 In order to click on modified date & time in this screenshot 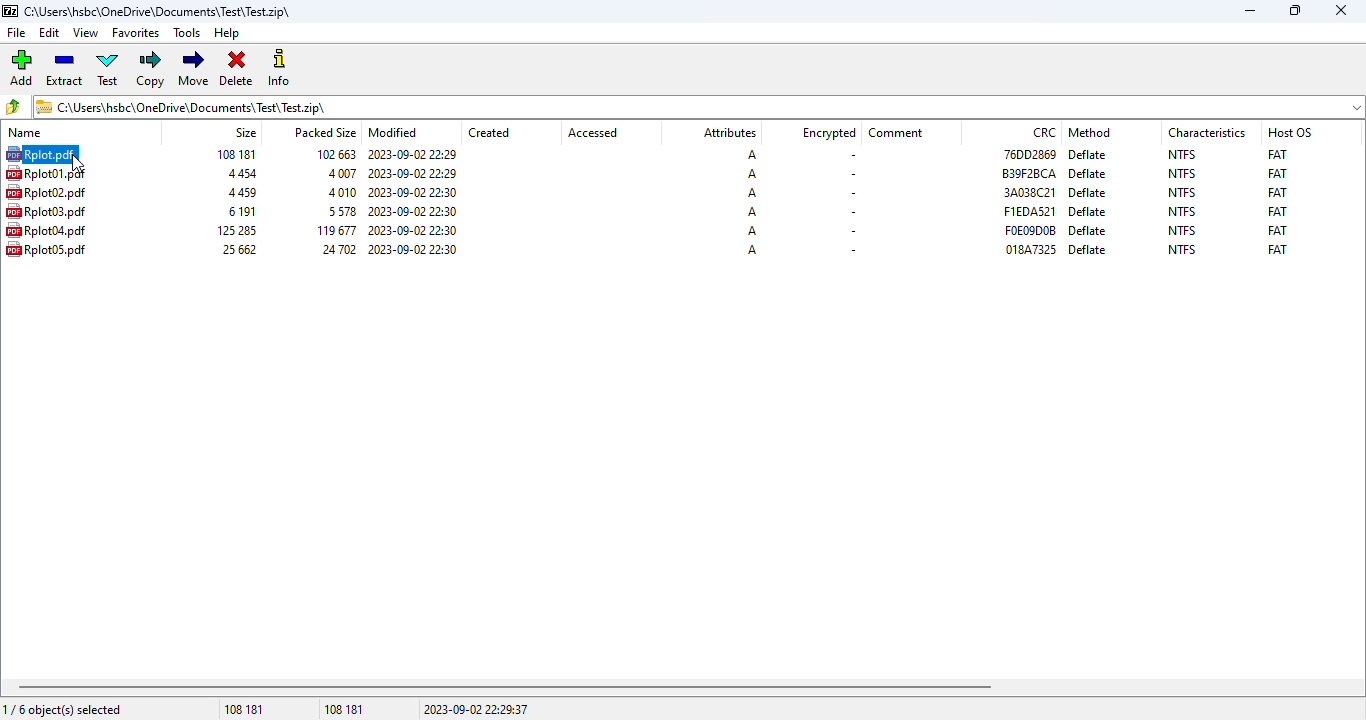, I will do `click(414, 211)`.